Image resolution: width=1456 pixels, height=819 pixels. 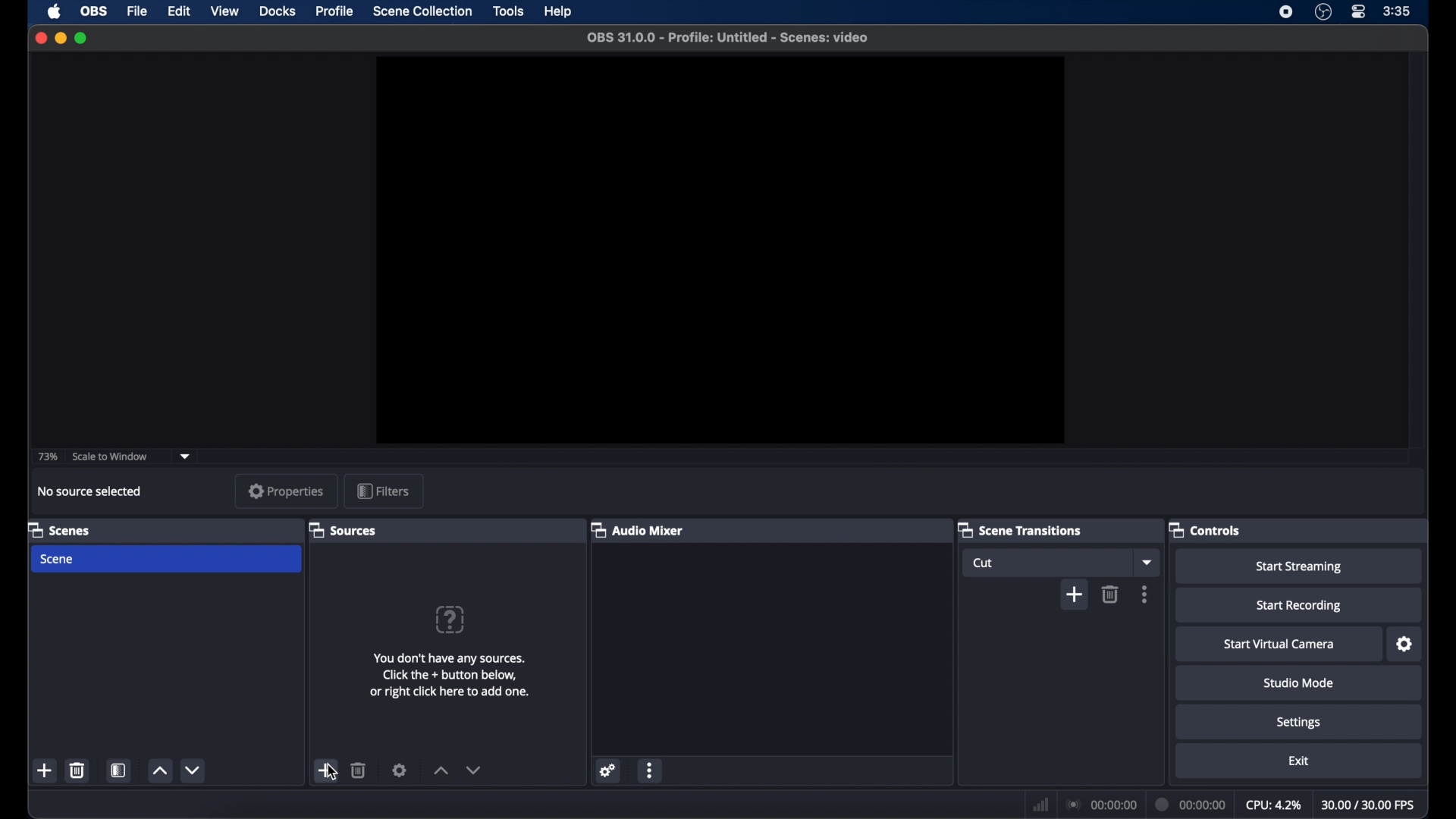 What do you see at coordinates (40, 38) in the screenshot?
I see `close` at bounding box center [40, 38].